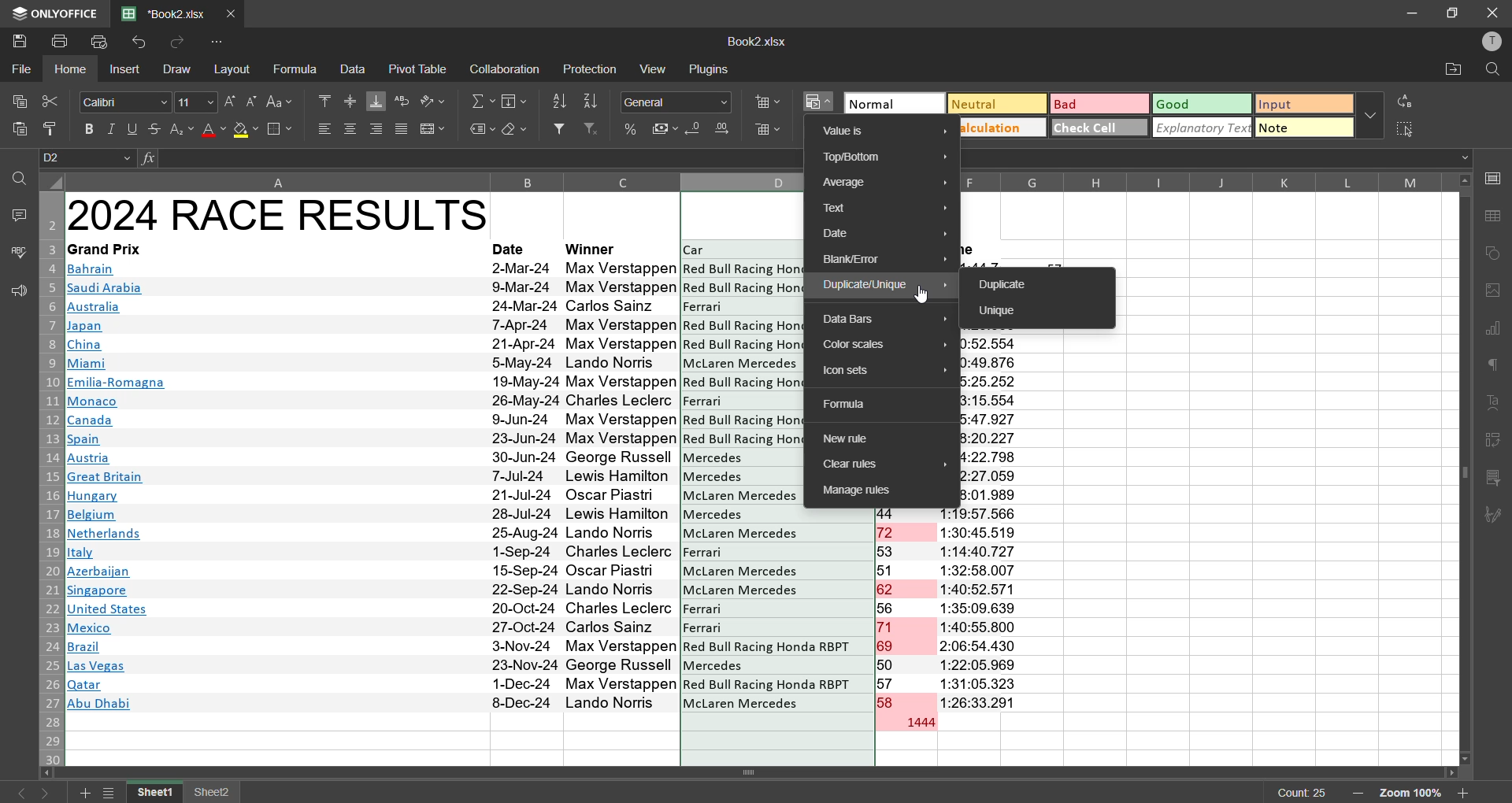 Image resolution: width=1512 pixels, height=803 pixels. Describe the element at coordinates (1495, 404) in the screenshot. I see `text` at that location.